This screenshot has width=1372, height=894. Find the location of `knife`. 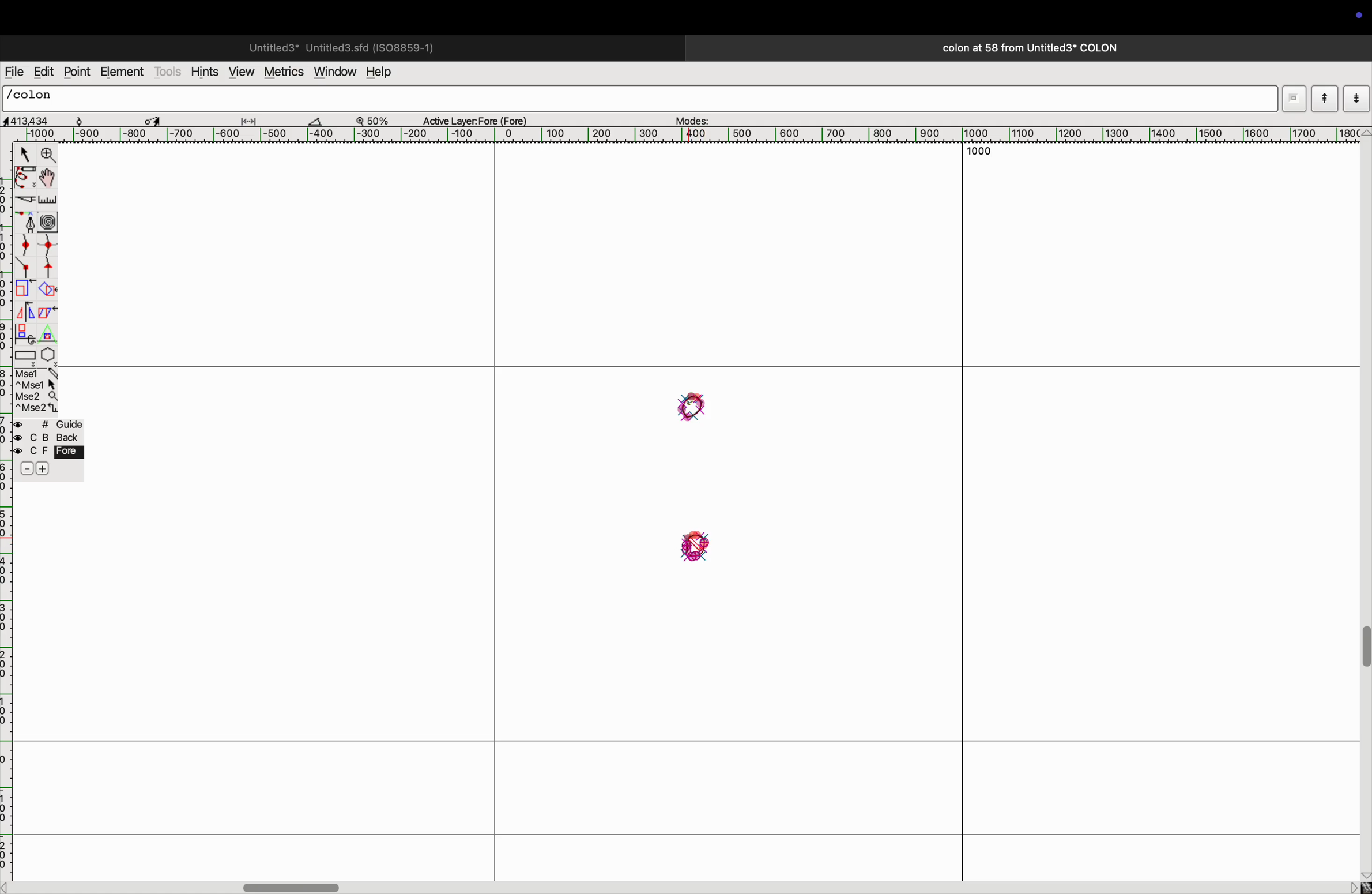

knife is located at coordinates (24, 201).